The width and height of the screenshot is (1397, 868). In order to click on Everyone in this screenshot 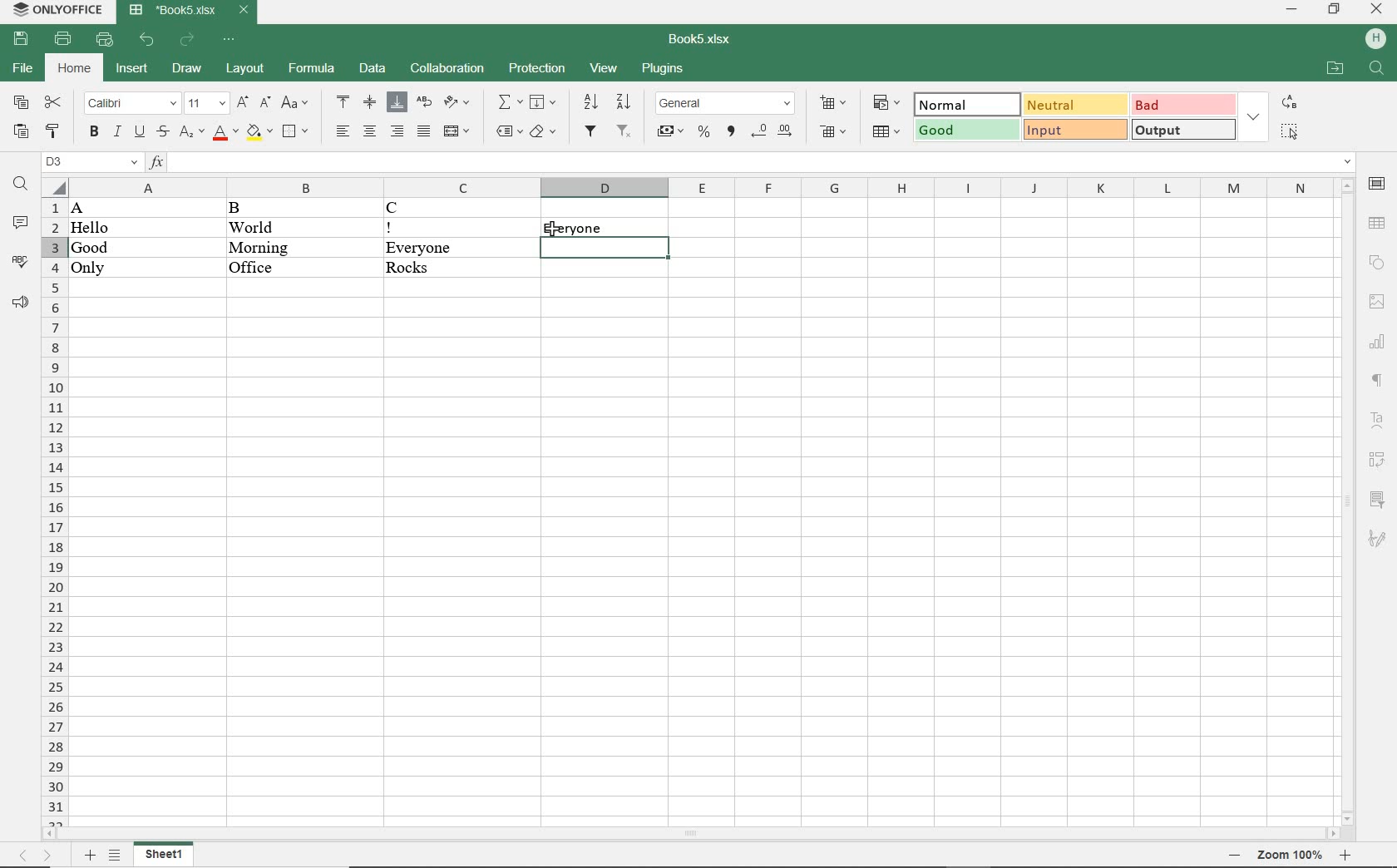, I will do `click(460, 248)`.